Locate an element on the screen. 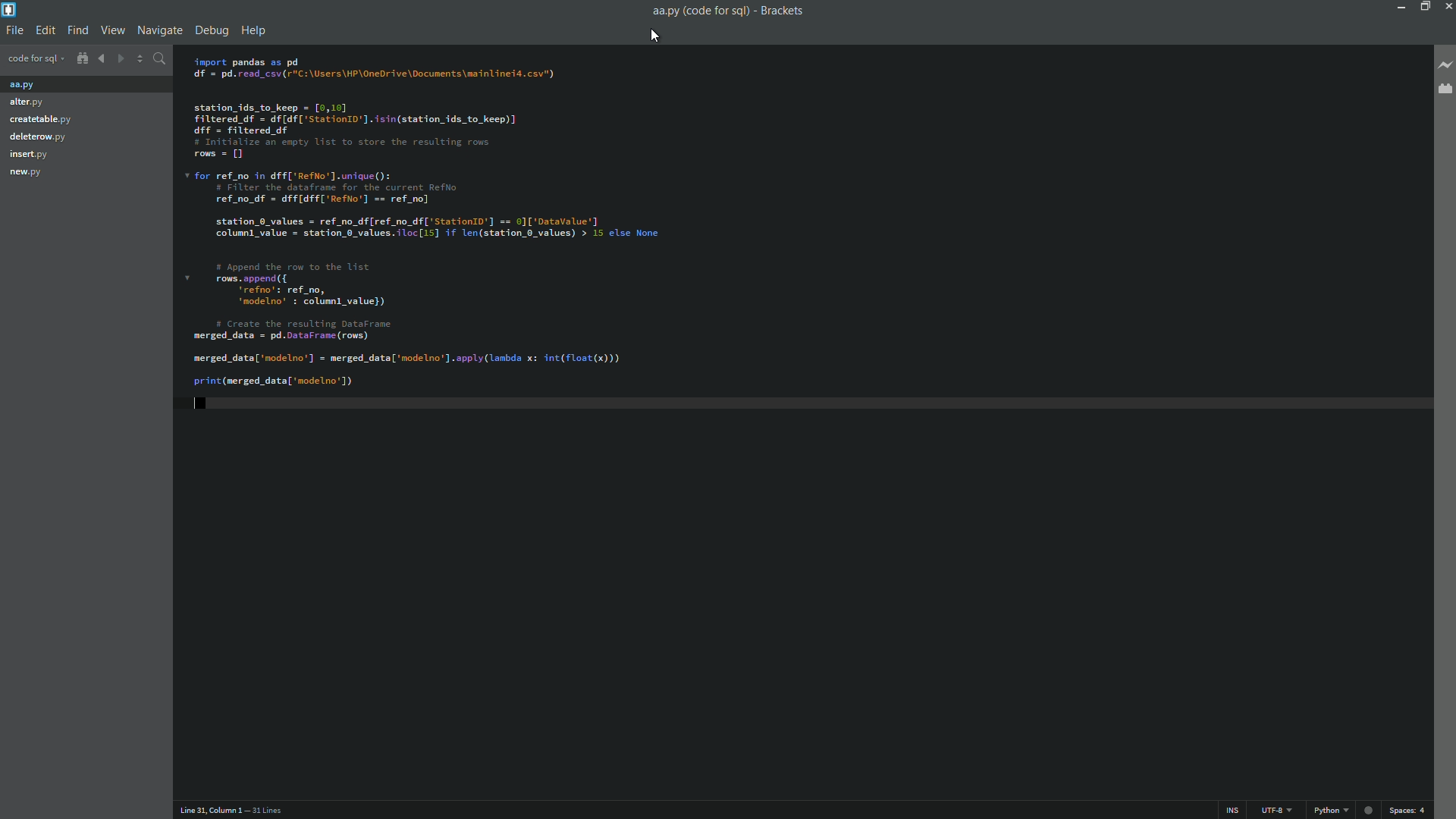 This screenshot has height=819, width=1456. python is located at coordinates (1332, 811).